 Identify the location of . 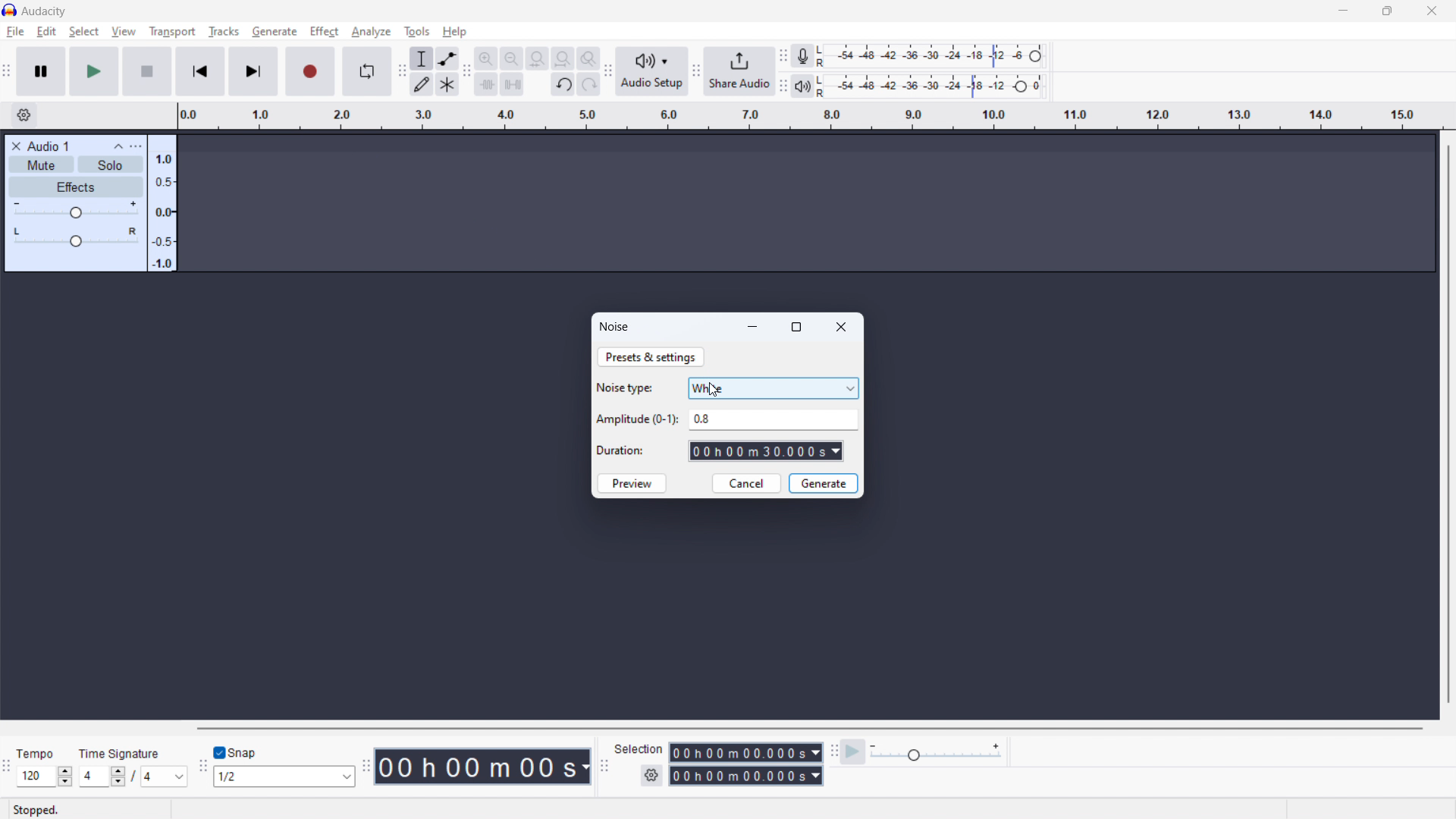
(801, 55).